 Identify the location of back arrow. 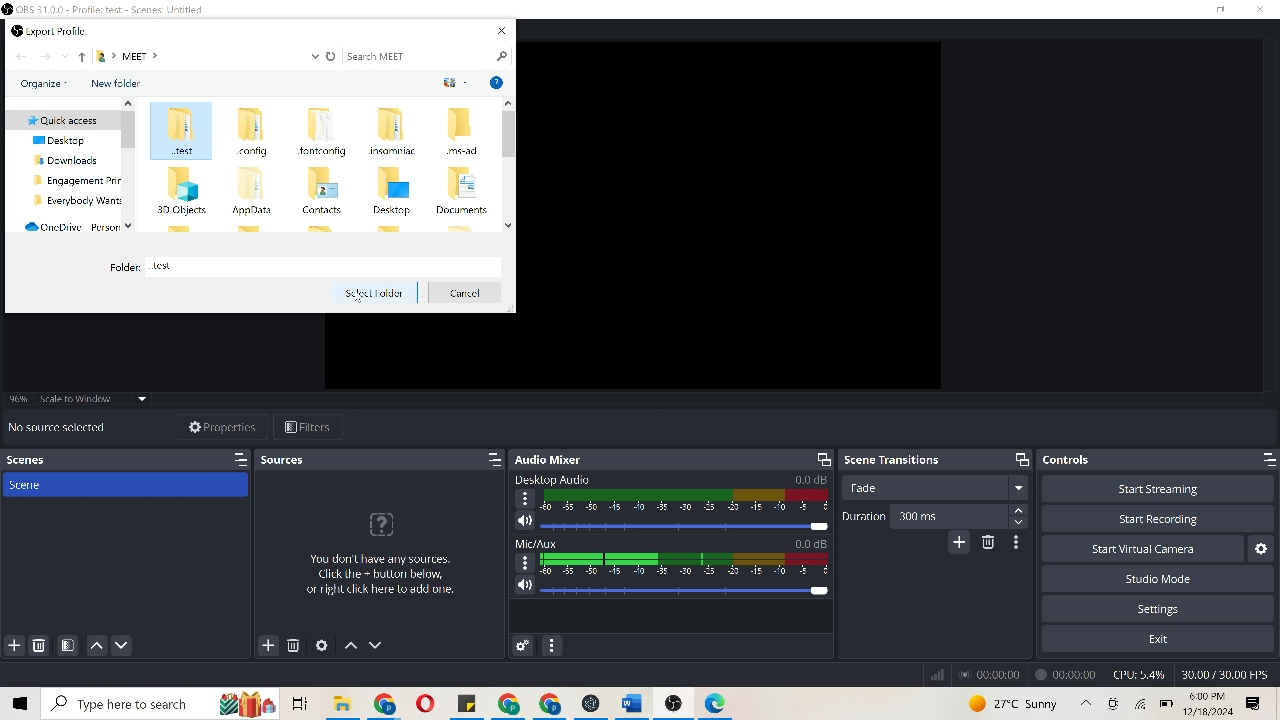
(20, 58).